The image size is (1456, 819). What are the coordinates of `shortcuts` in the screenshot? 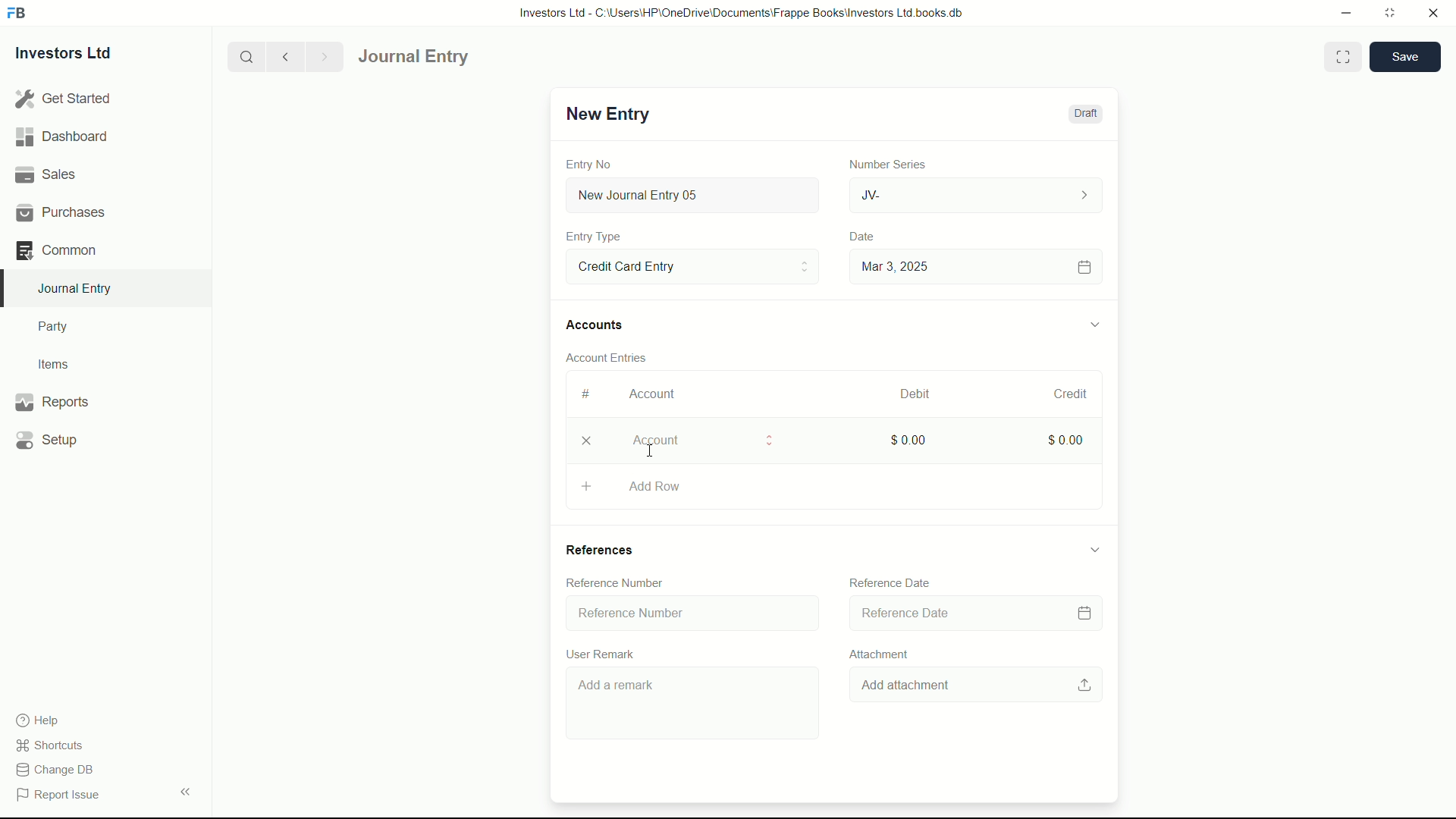 It's located at (53, 745).